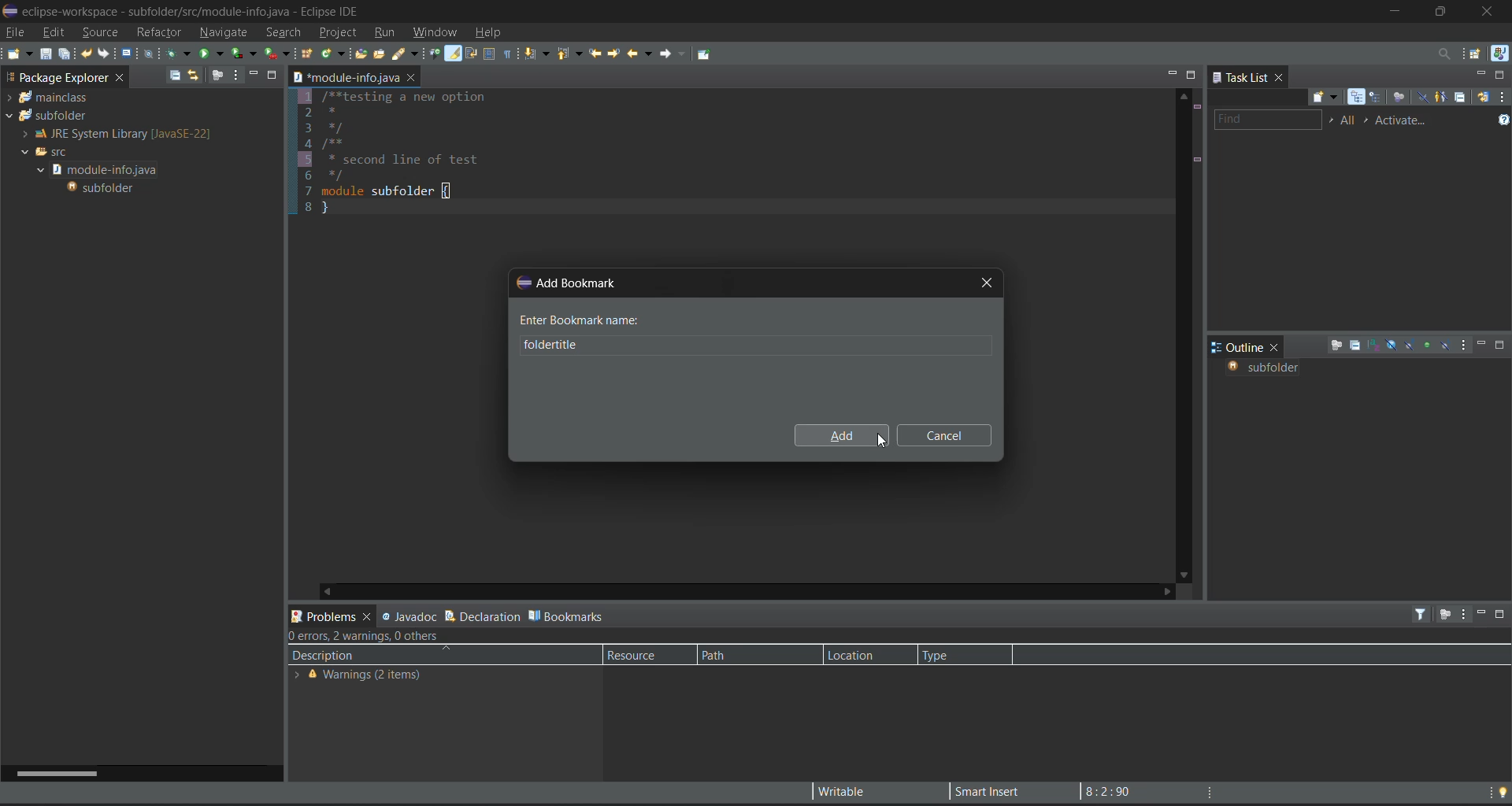 This screenshot has width=1512, height=806. Describe the element at coordinates (983, 791) in the screenshot. I see `smart insert` at that location.